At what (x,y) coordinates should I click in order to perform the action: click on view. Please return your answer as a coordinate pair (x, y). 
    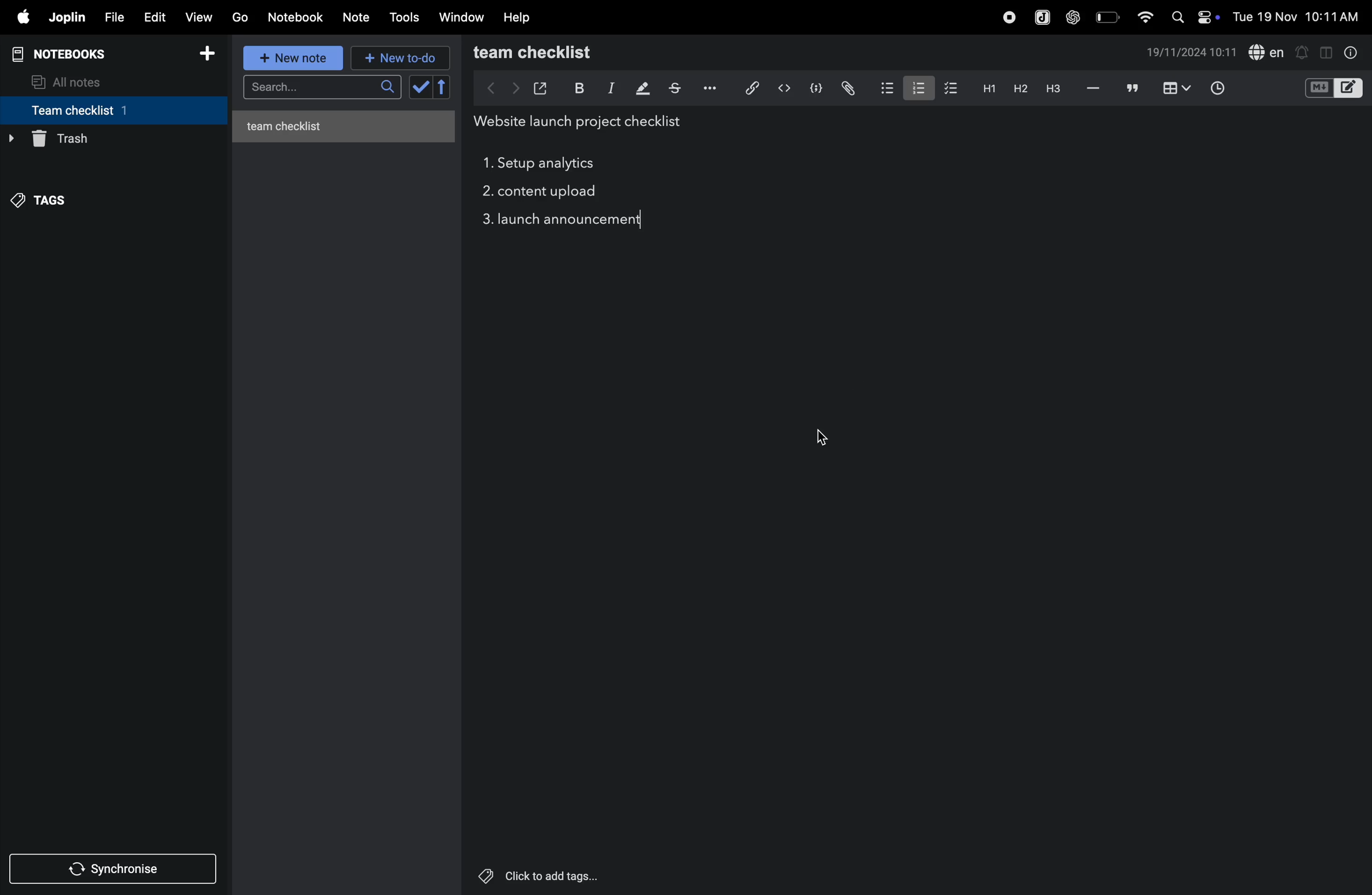
    Looking at the image, I should click on (201, 16).